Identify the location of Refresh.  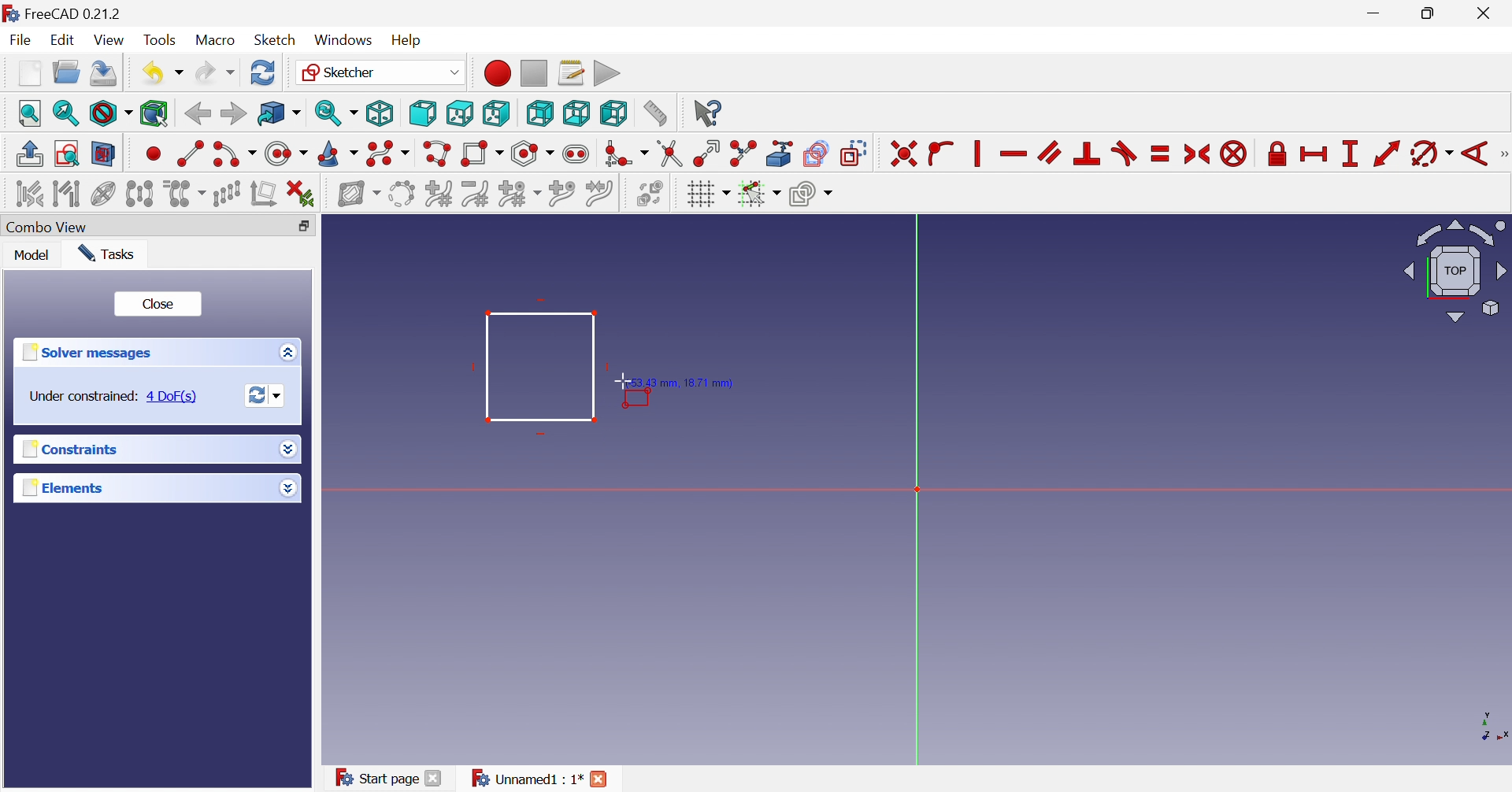
(263, 72).